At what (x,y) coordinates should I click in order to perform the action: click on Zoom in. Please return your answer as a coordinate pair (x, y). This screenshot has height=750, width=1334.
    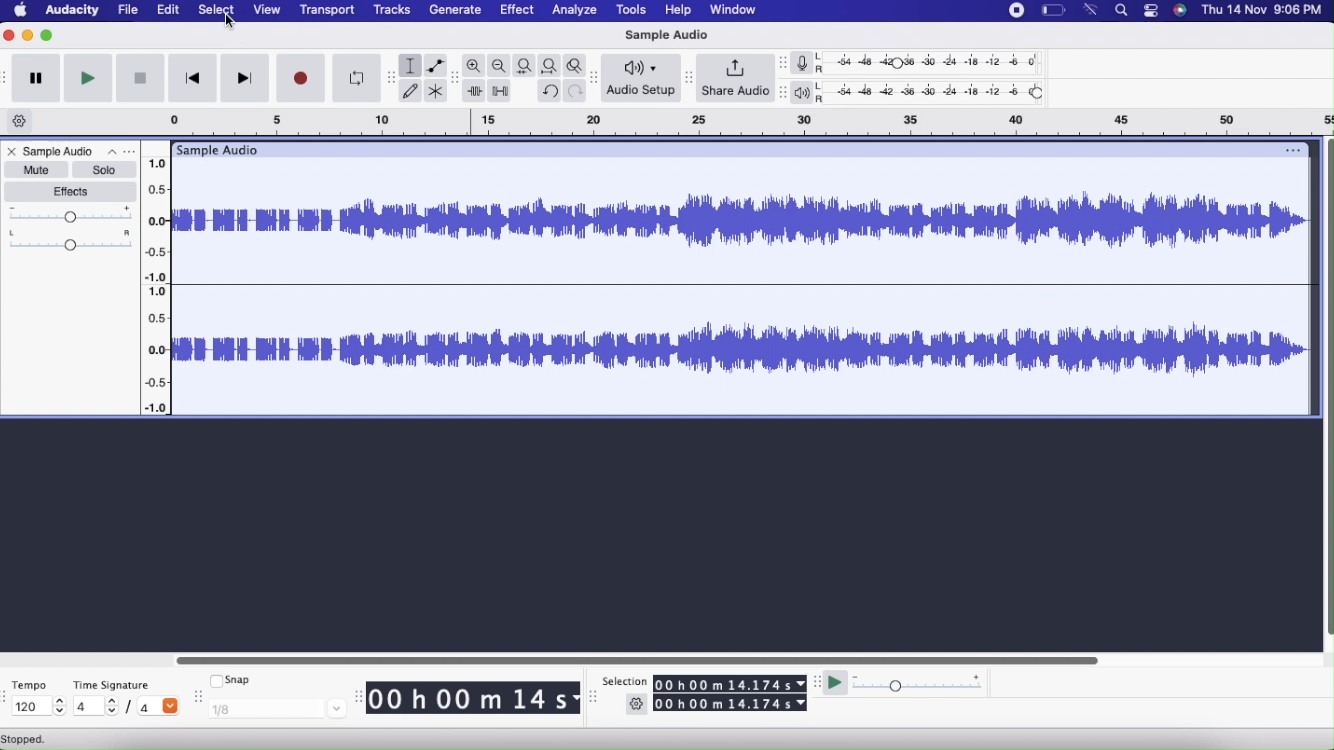
    Looking at the image, I should click on (474, 65).